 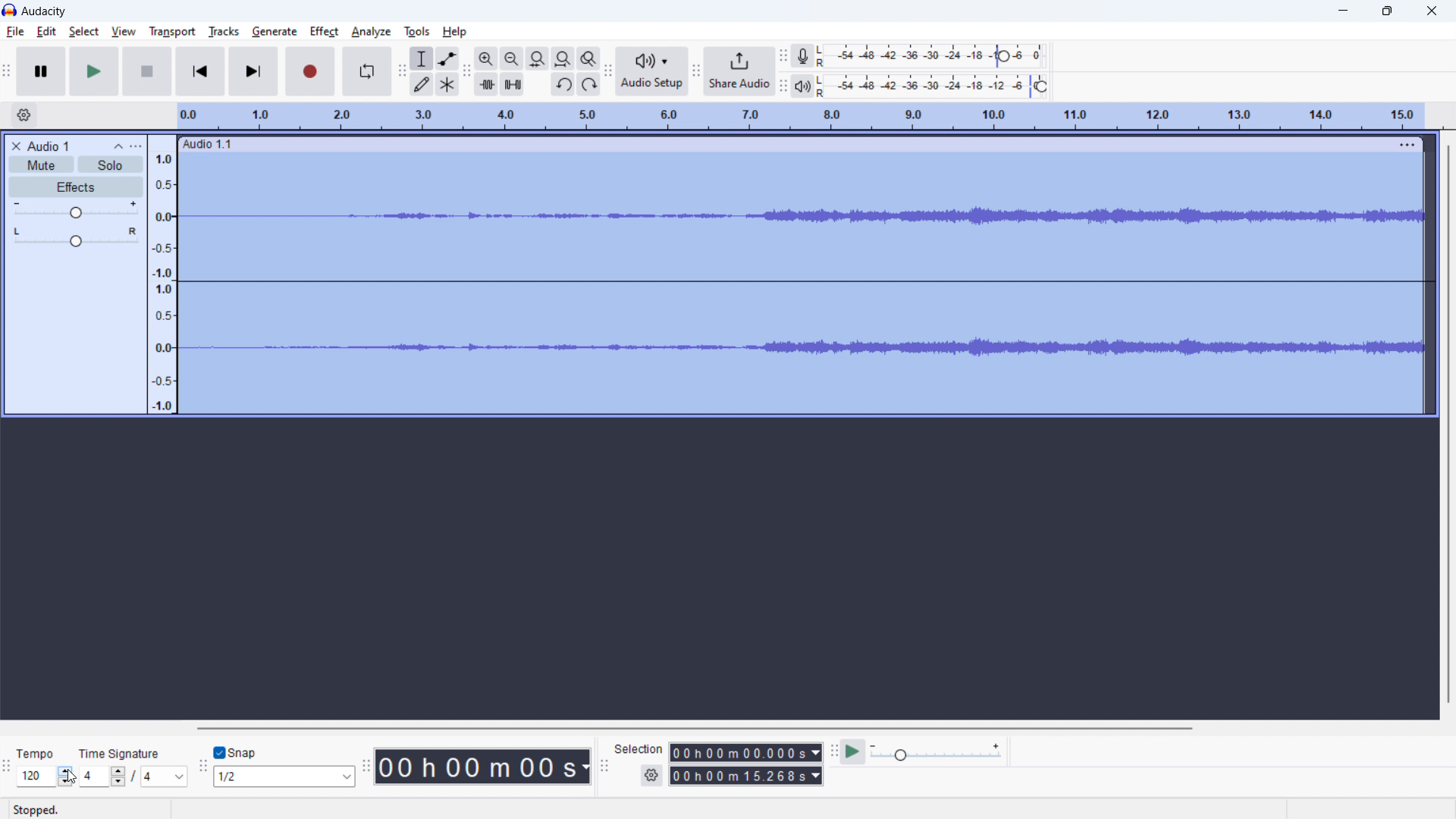 I want to click on selection toolbar, so click(x=604, y=769).